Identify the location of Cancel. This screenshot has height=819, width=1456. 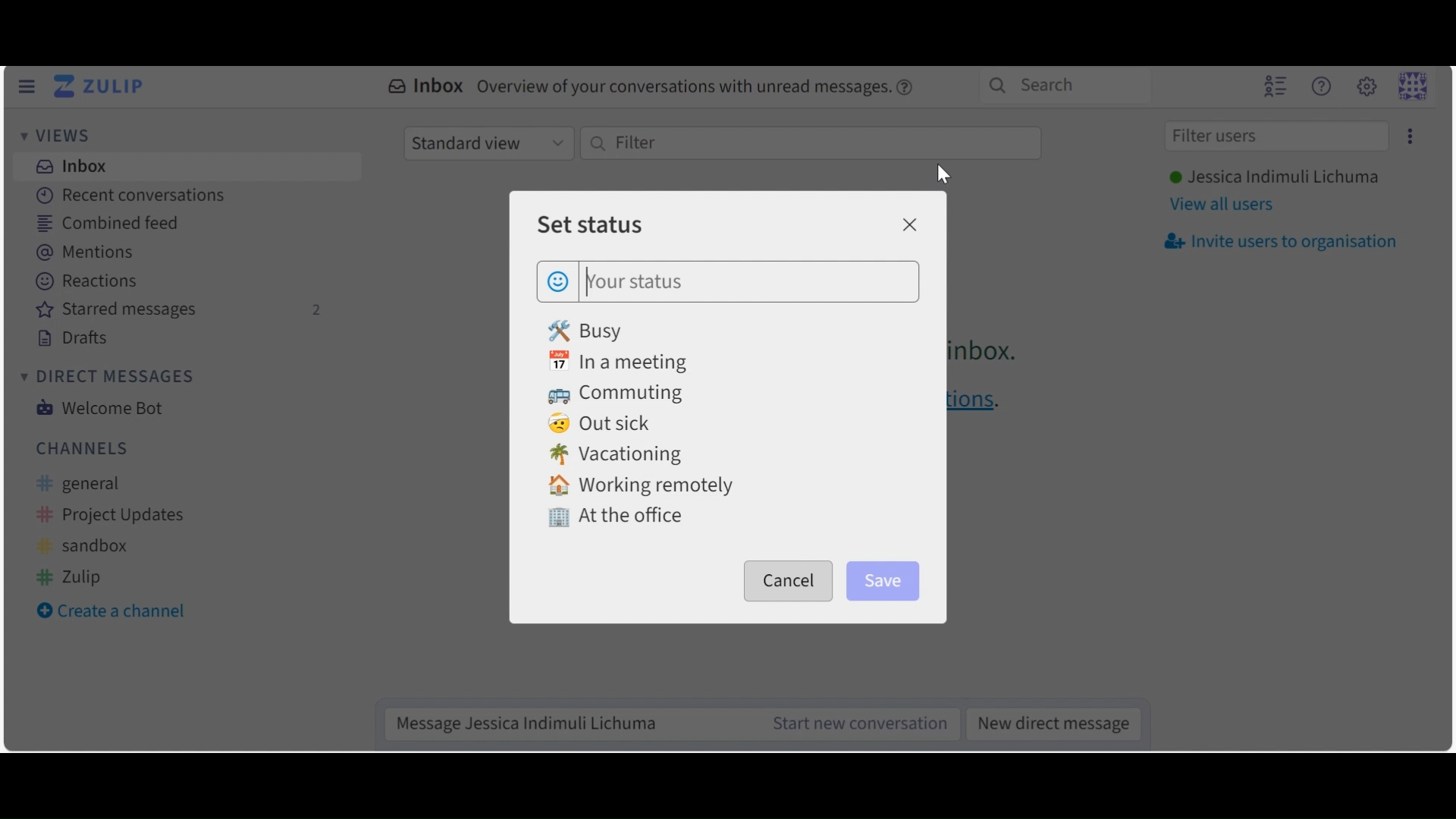
(789, 581).